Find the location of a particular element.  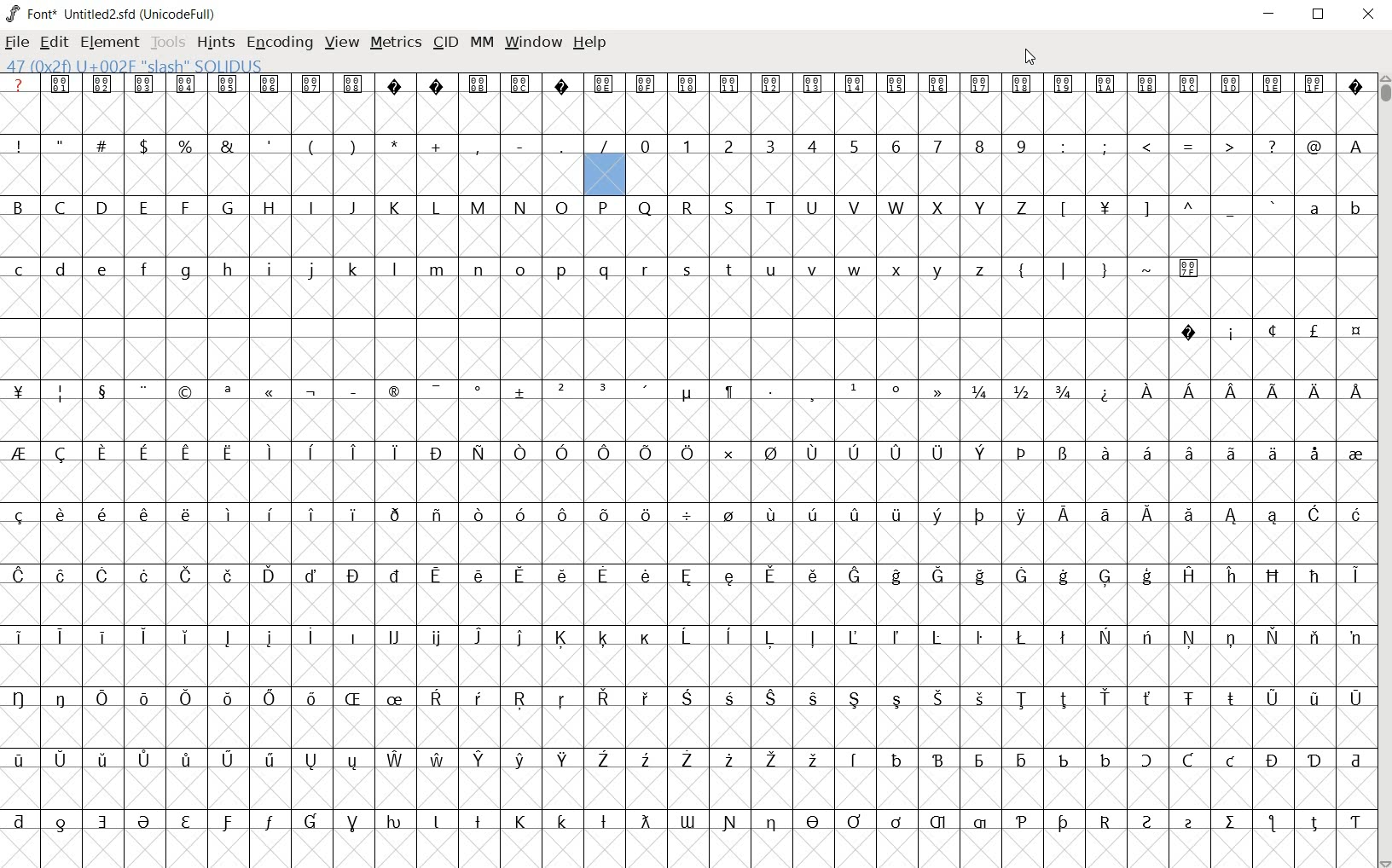

special letters is located at coordinates (687, 574).